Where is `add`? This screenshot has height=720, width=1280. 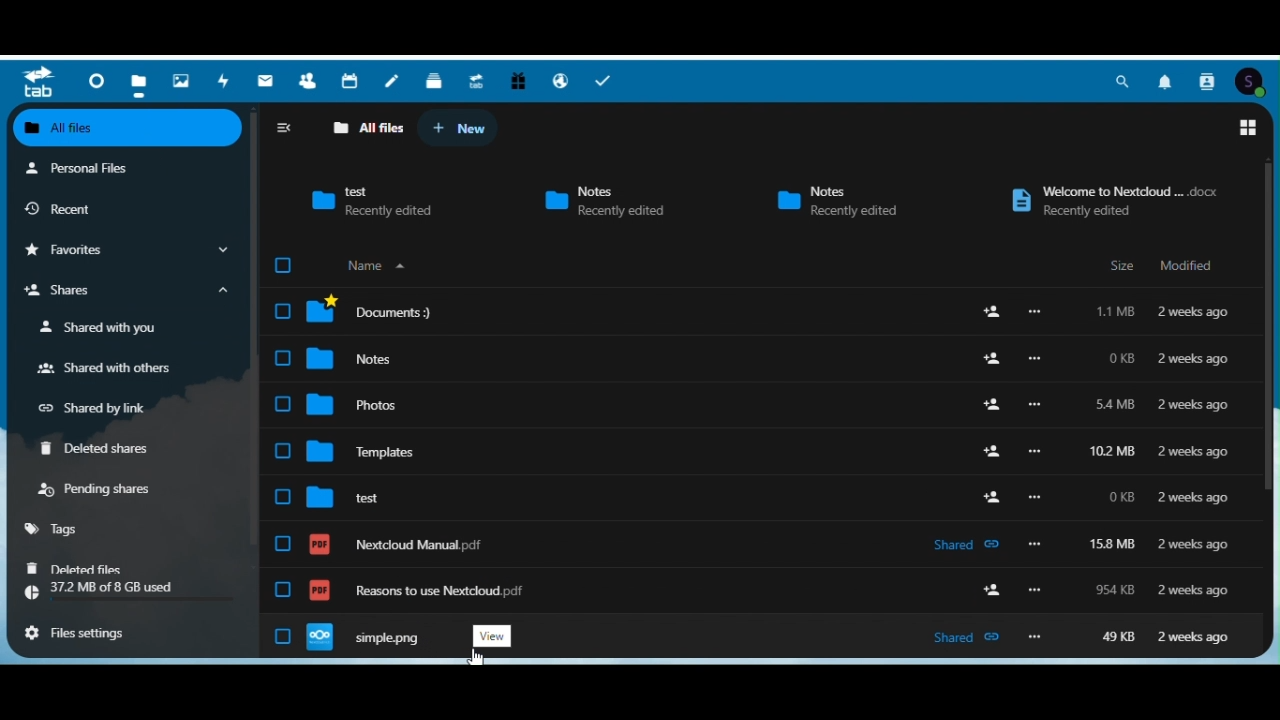
add is located at coordinates (992, 589).